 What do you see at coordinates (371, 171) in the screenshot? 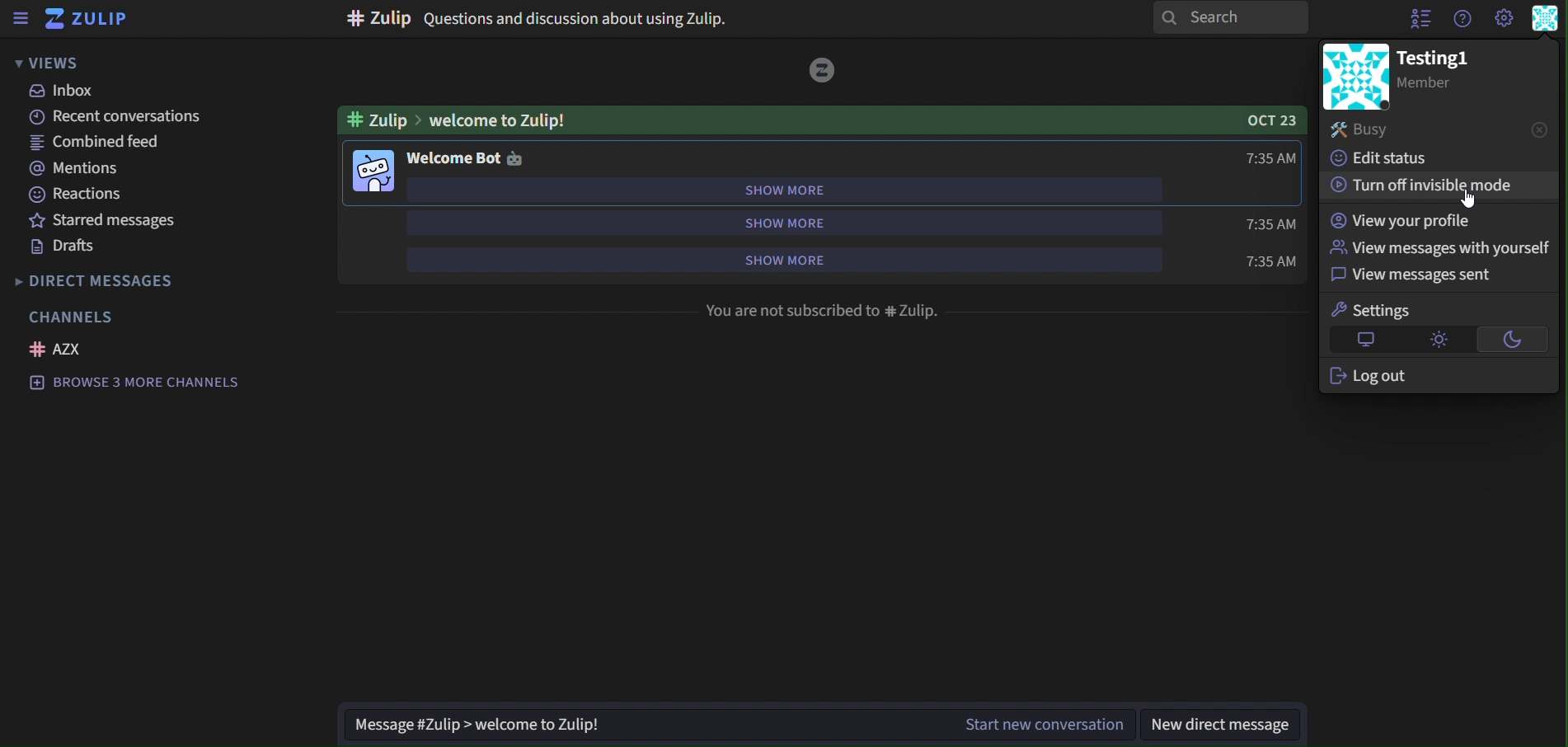
I see `image` at bounding box center [371, 171].